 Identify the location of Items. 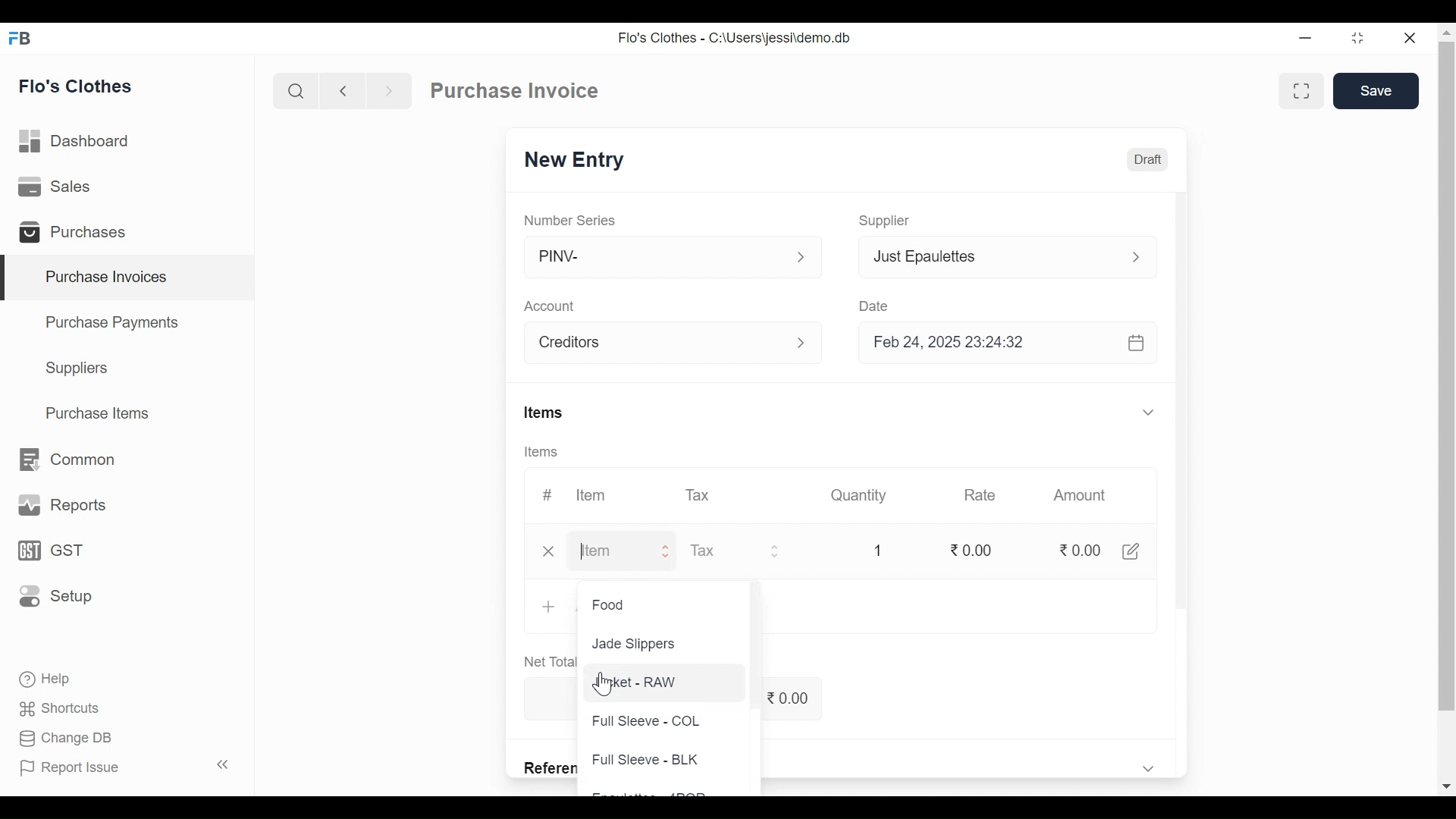
(546, 413).